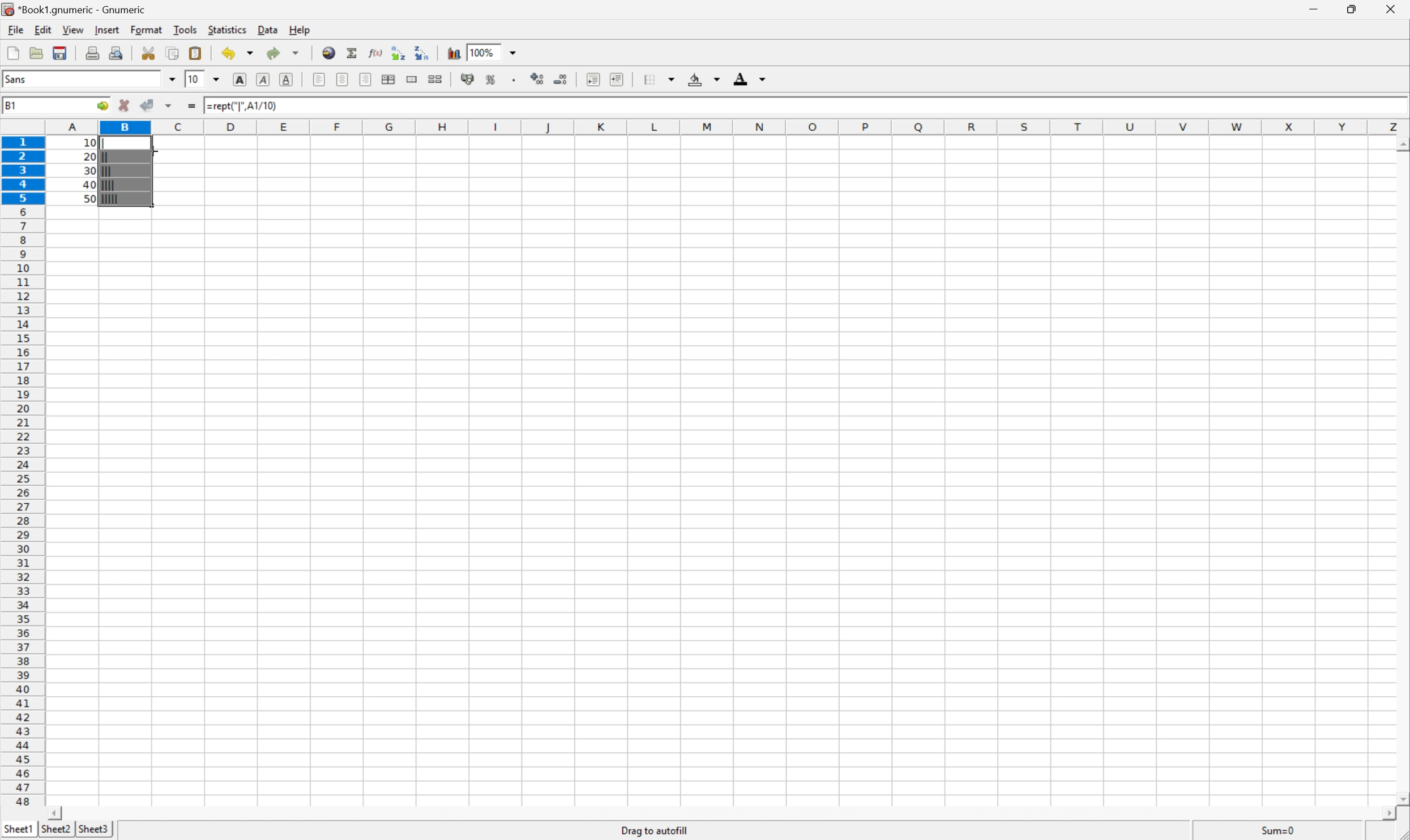 The image size is (1410, 840). Describe the element at coordinates (245, 105) in the screenshot. I see `=REPT("|", A1/10)` at that location.